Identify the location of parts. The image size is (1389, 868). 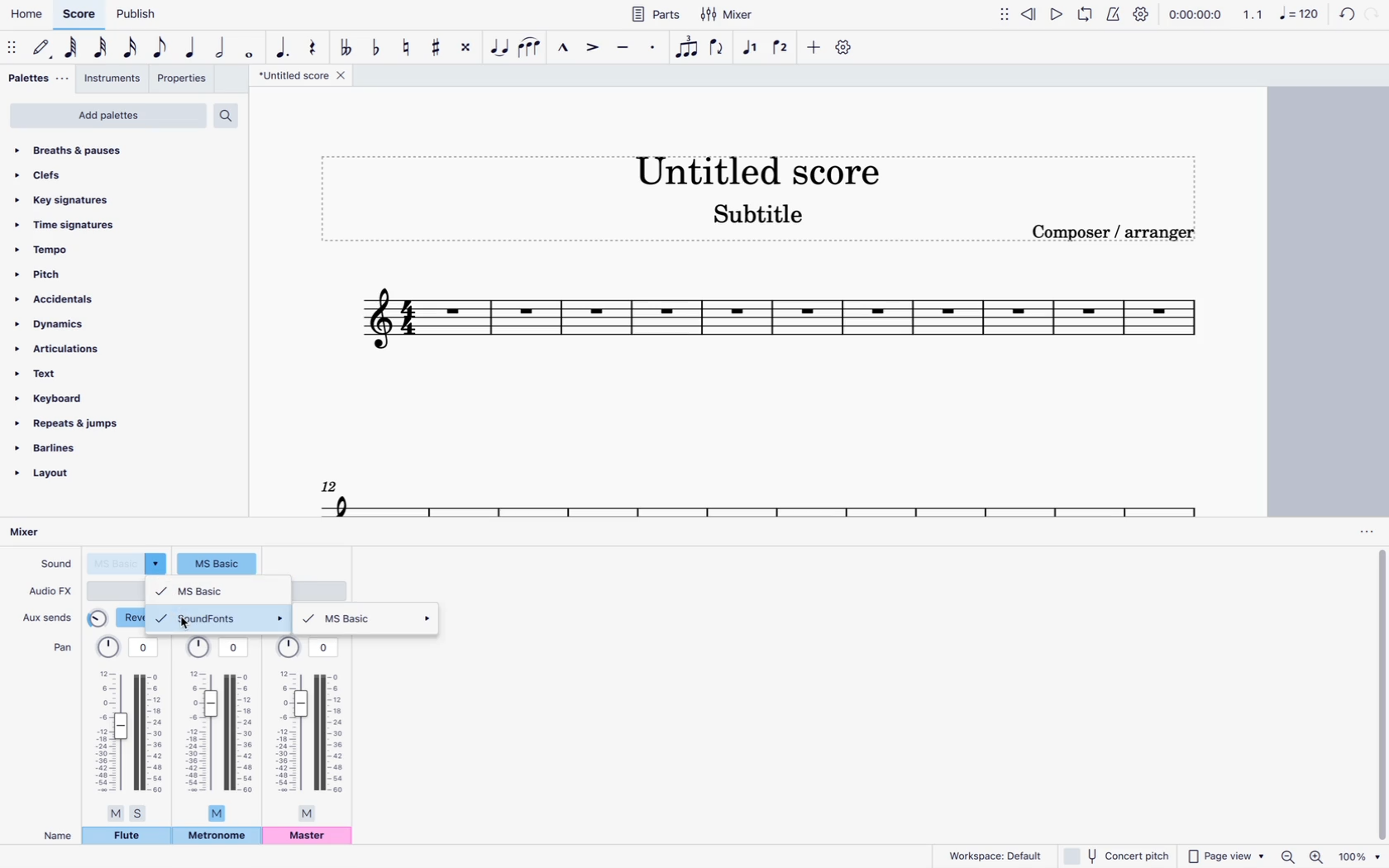
(655, 13).